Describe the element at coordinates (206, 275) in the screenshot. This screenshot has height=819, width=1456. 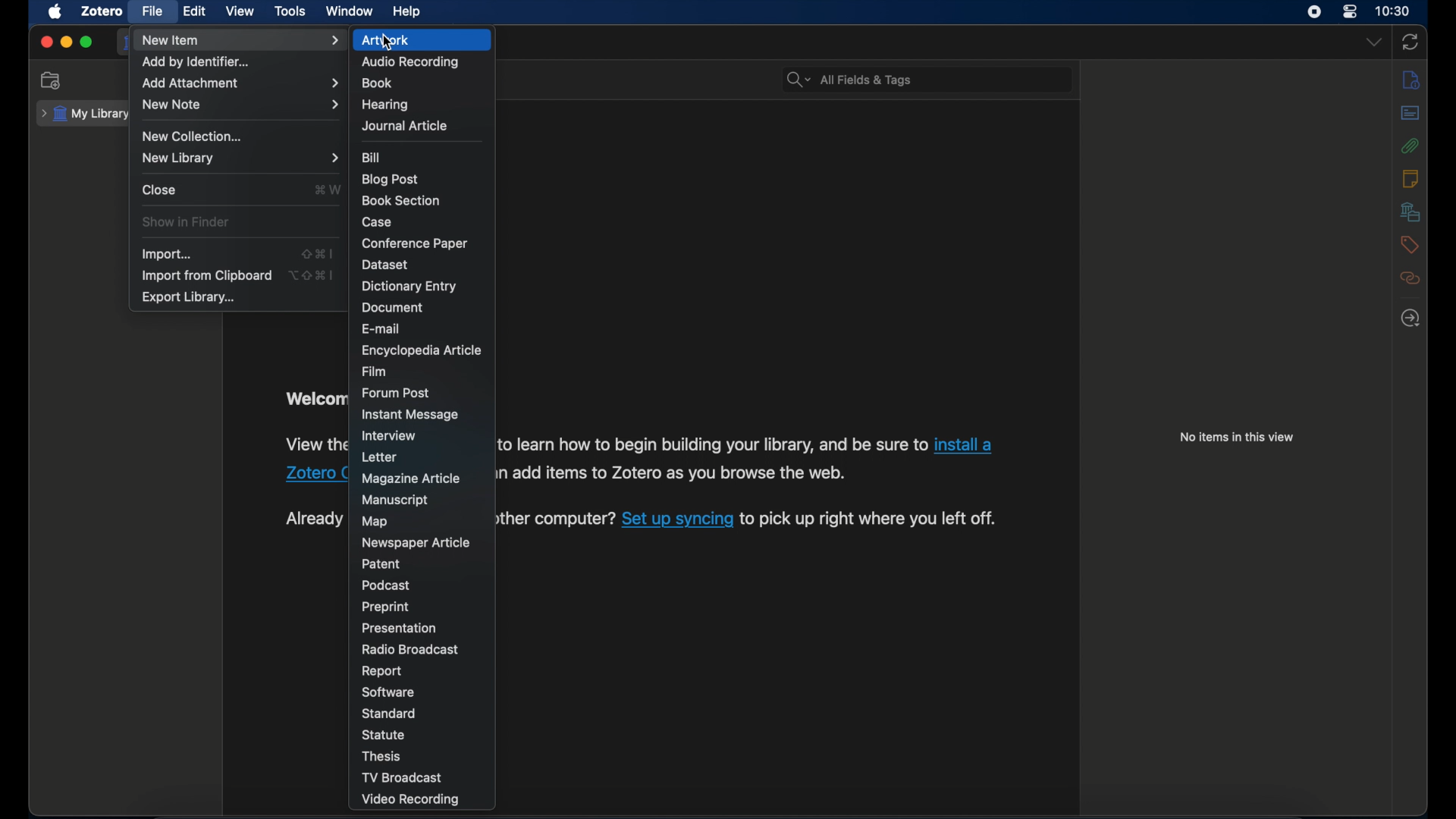
I see `import from clipboard` at that location.